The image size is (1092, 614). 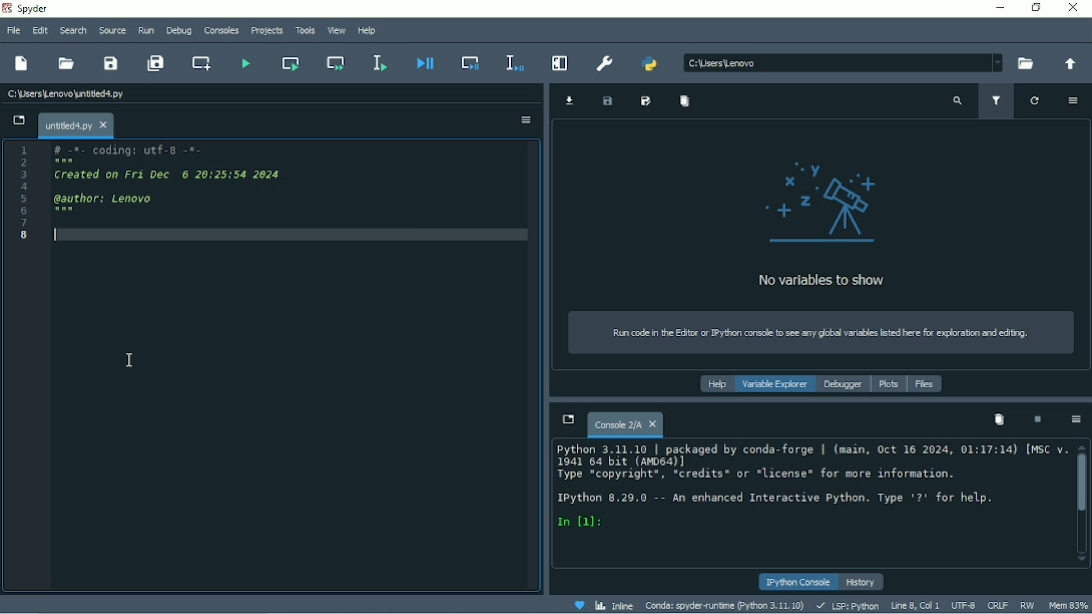 I want to click on IPython console, so click(x=797, y=581).